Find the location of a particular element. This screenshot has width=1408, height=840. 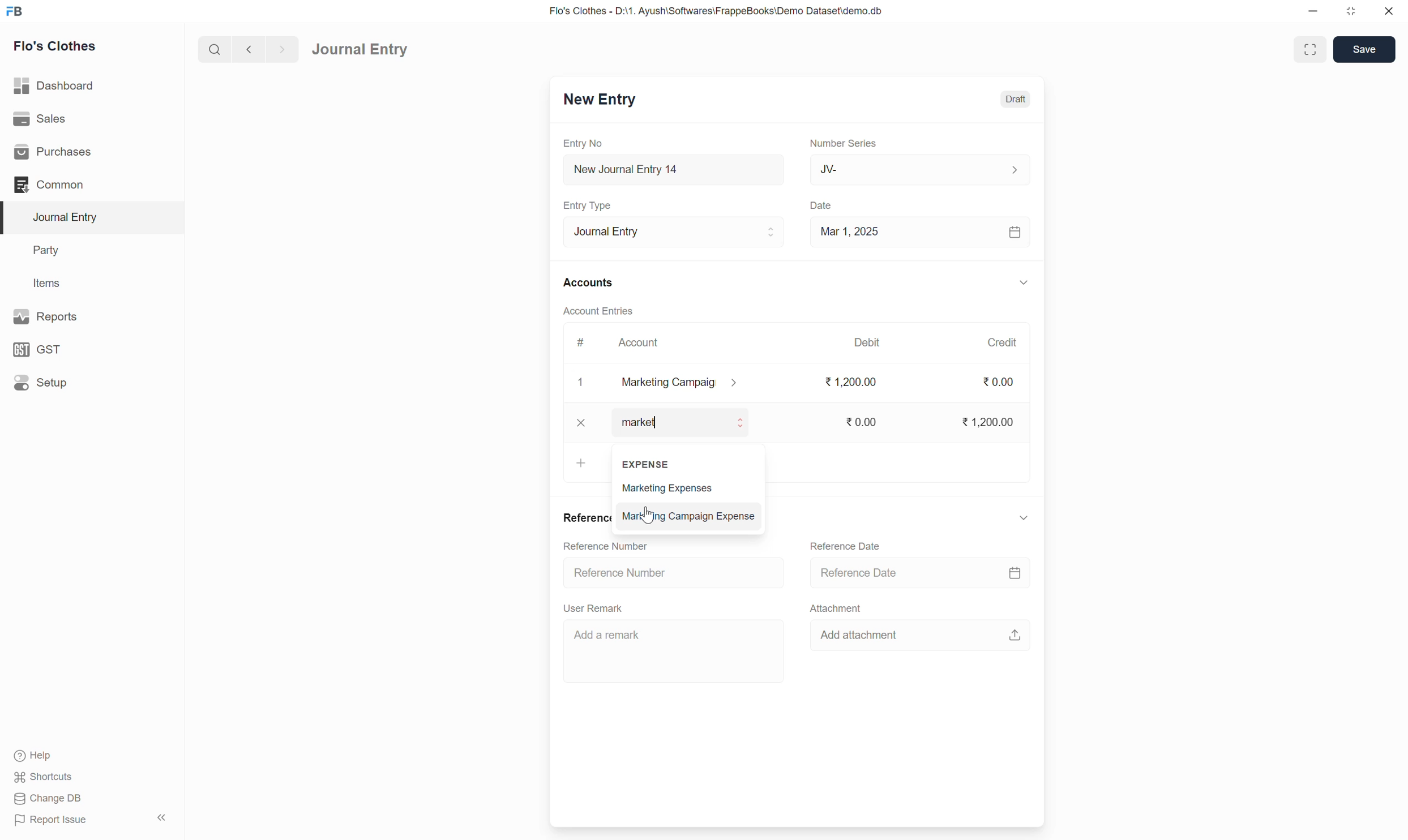

Flo's Clothes - D:\1. Ayush\Softwares\FrappeBooks\Demo Dataset\demo.db is located at coordinates (719, 10).